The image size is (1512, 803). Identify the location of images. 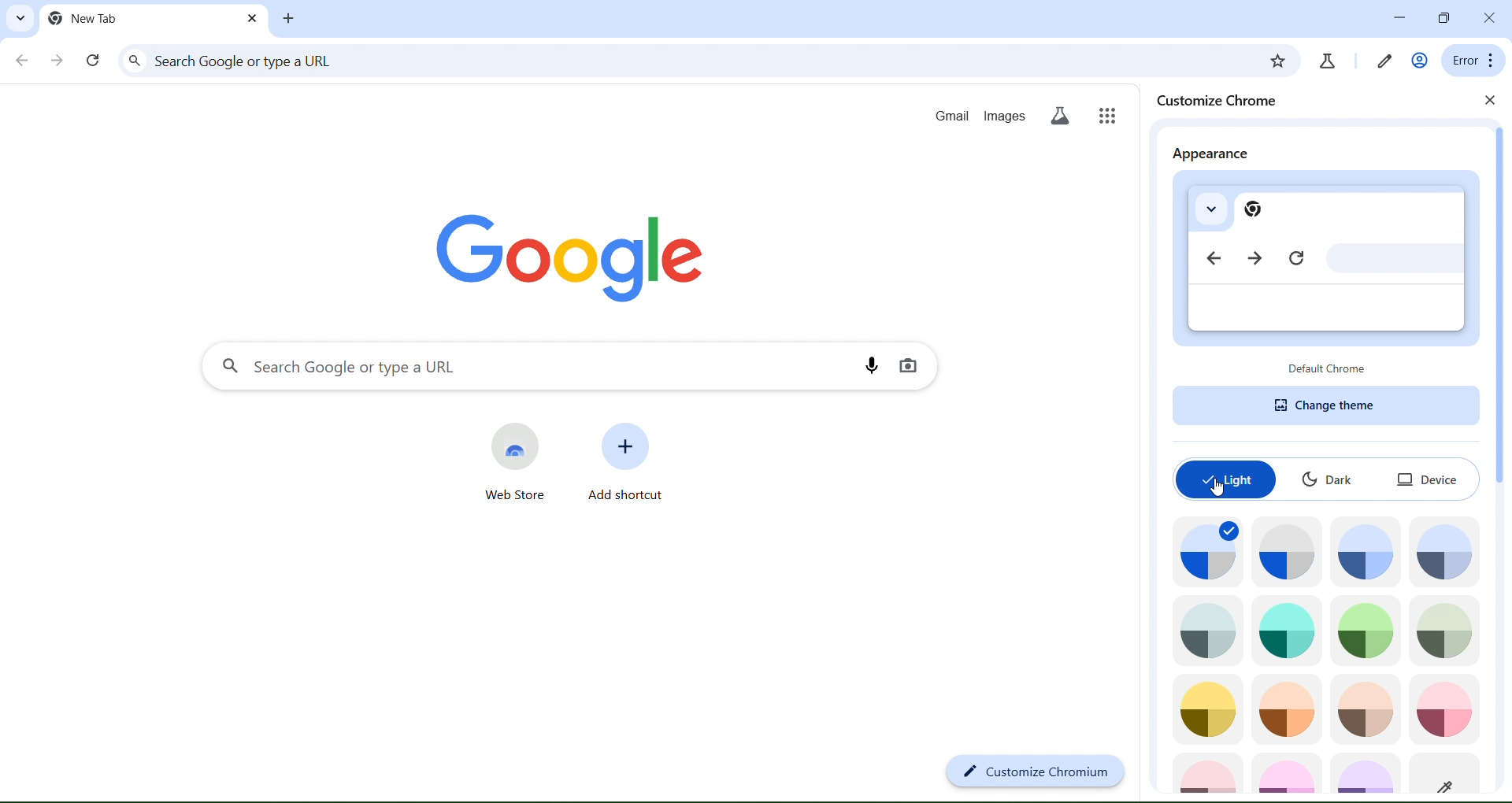
(1002, 113).